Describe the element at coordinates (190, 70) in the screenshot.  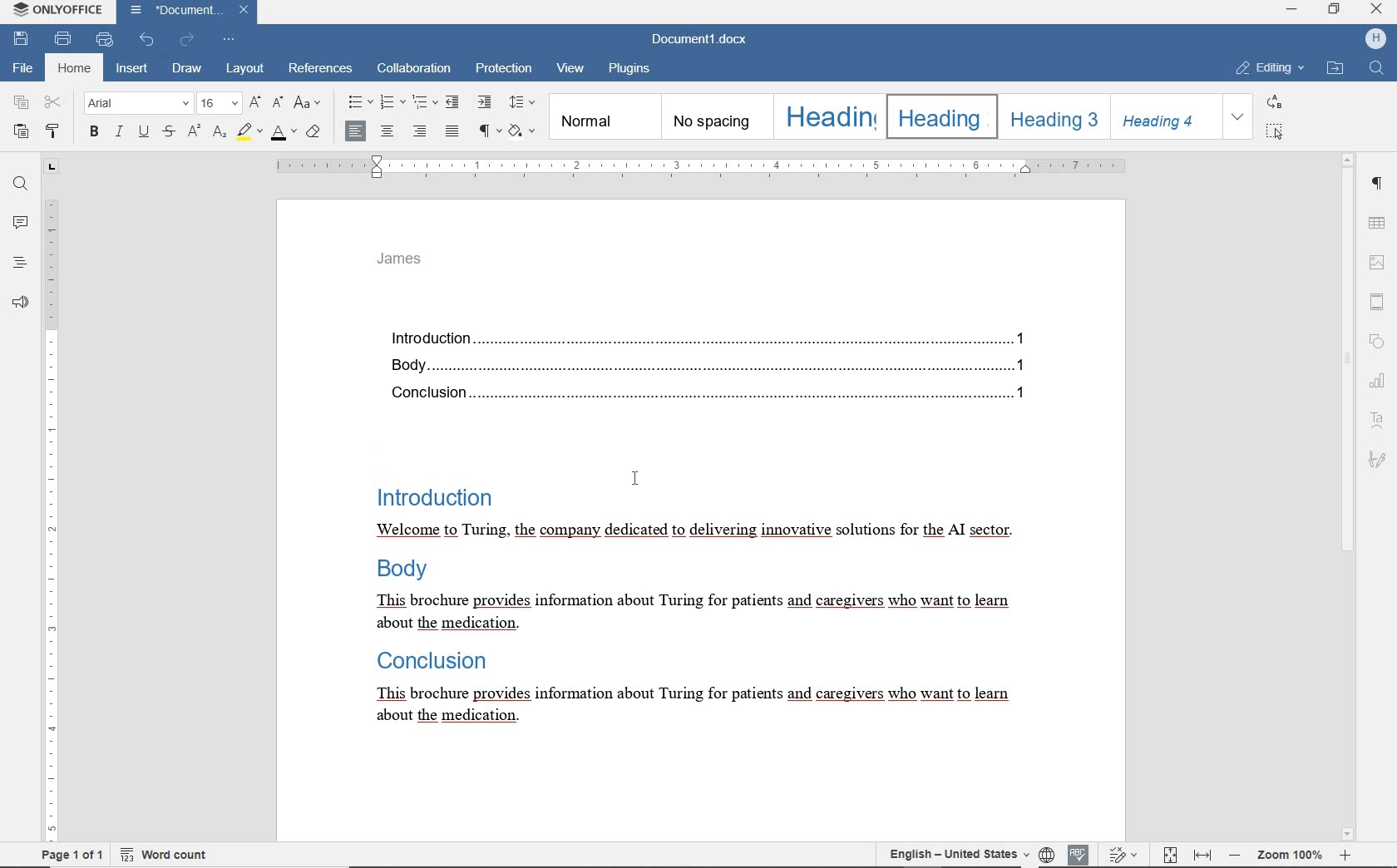
I see `draw` at that location.